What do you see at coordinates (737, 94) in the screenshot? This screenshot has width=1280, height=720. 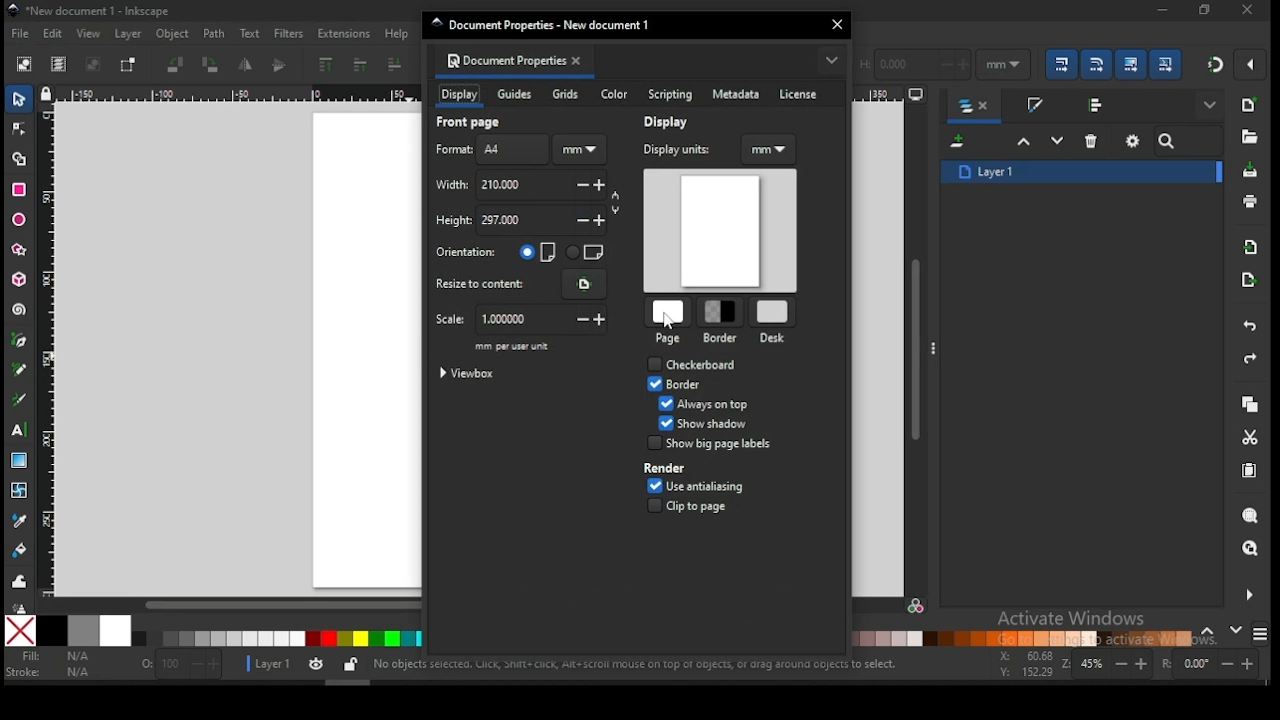 I see `metadata` at bounding box center [737, 94].